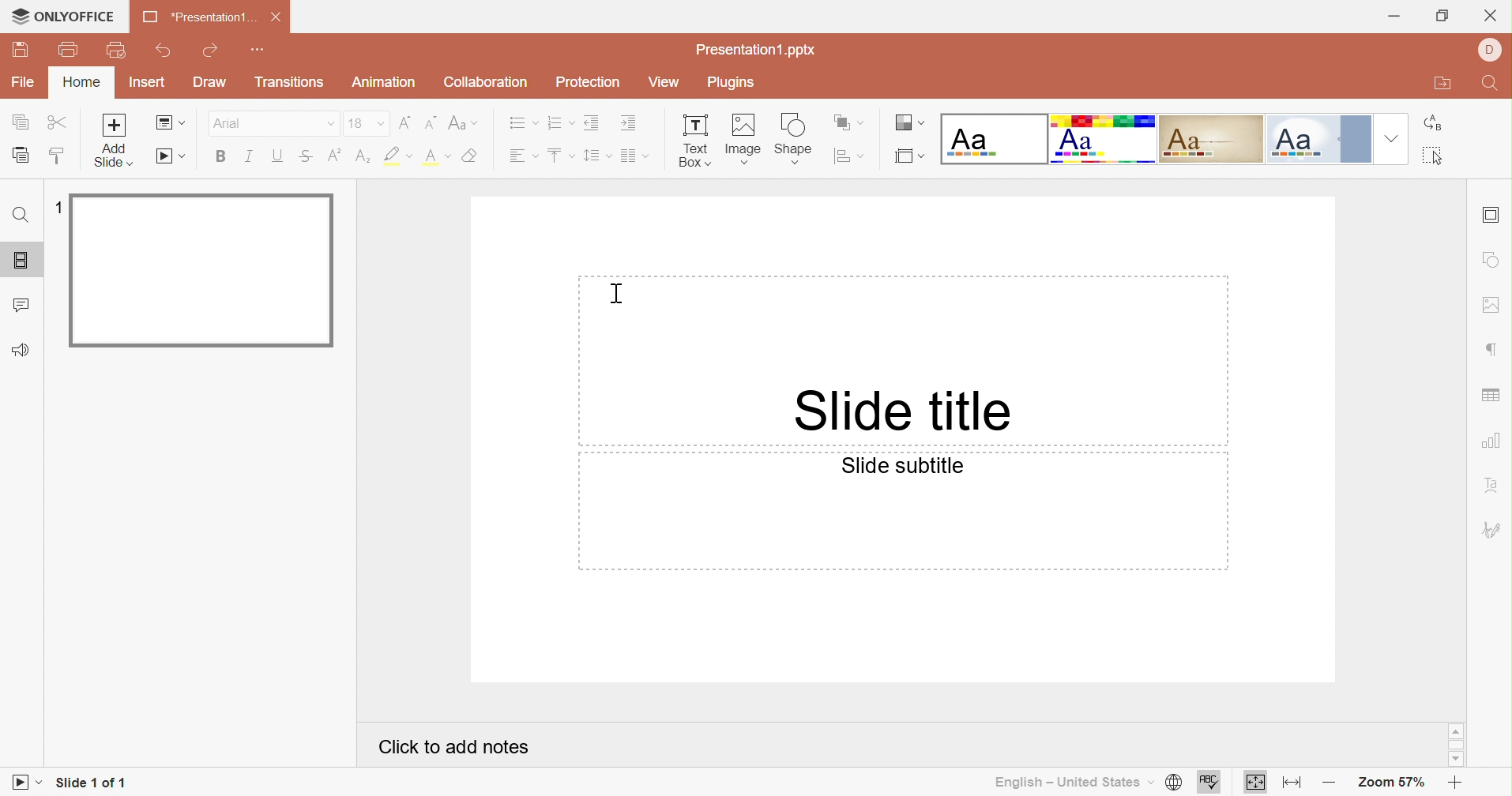 The height and width of the screenshot is (796, 1512). What do you see at coordinates (1493, 213) in the screenshot?
I see `slide settings` at bounding box center [1493, 213].